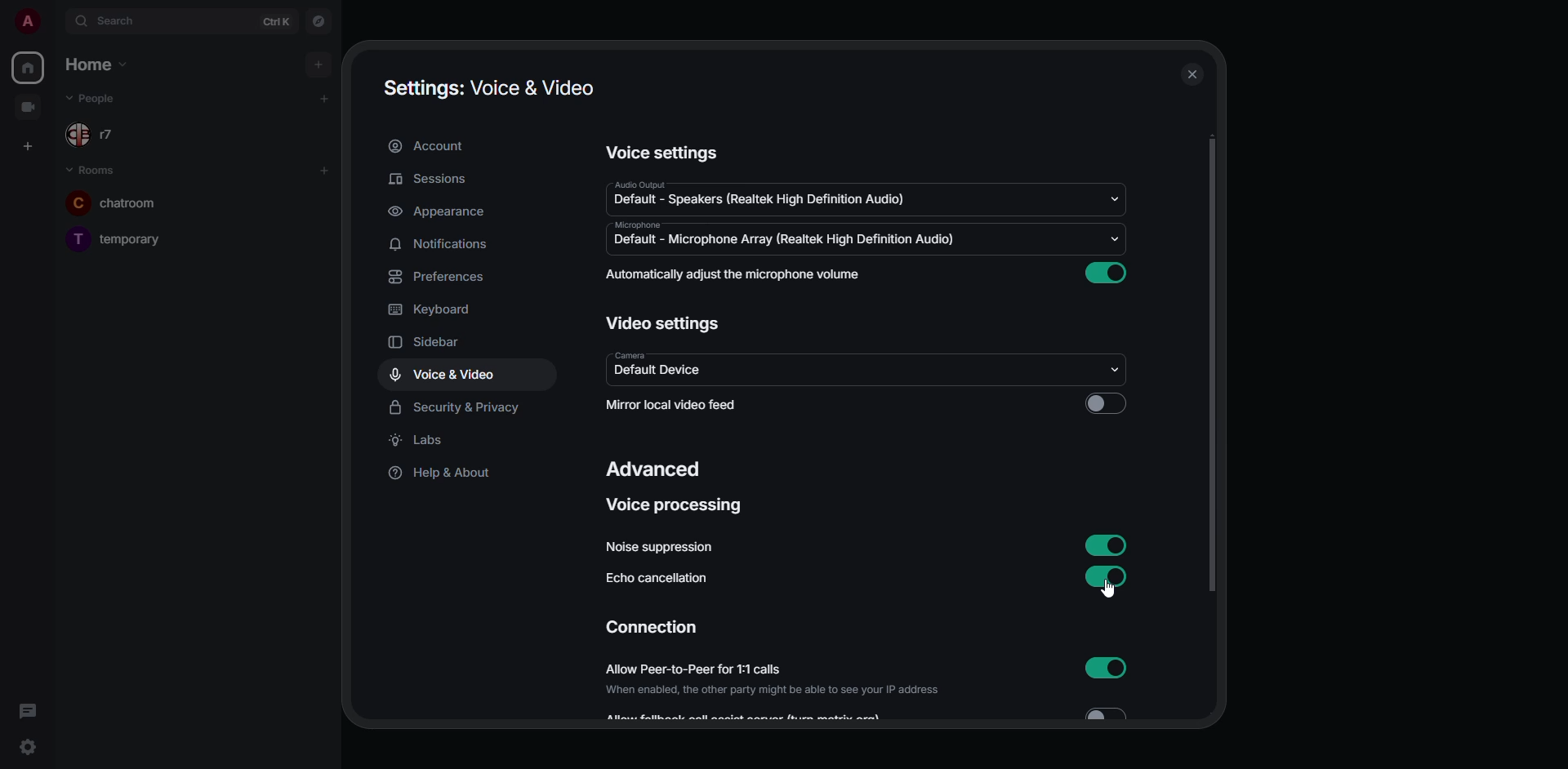  I want to click on ctrl K, so click(276, 22).